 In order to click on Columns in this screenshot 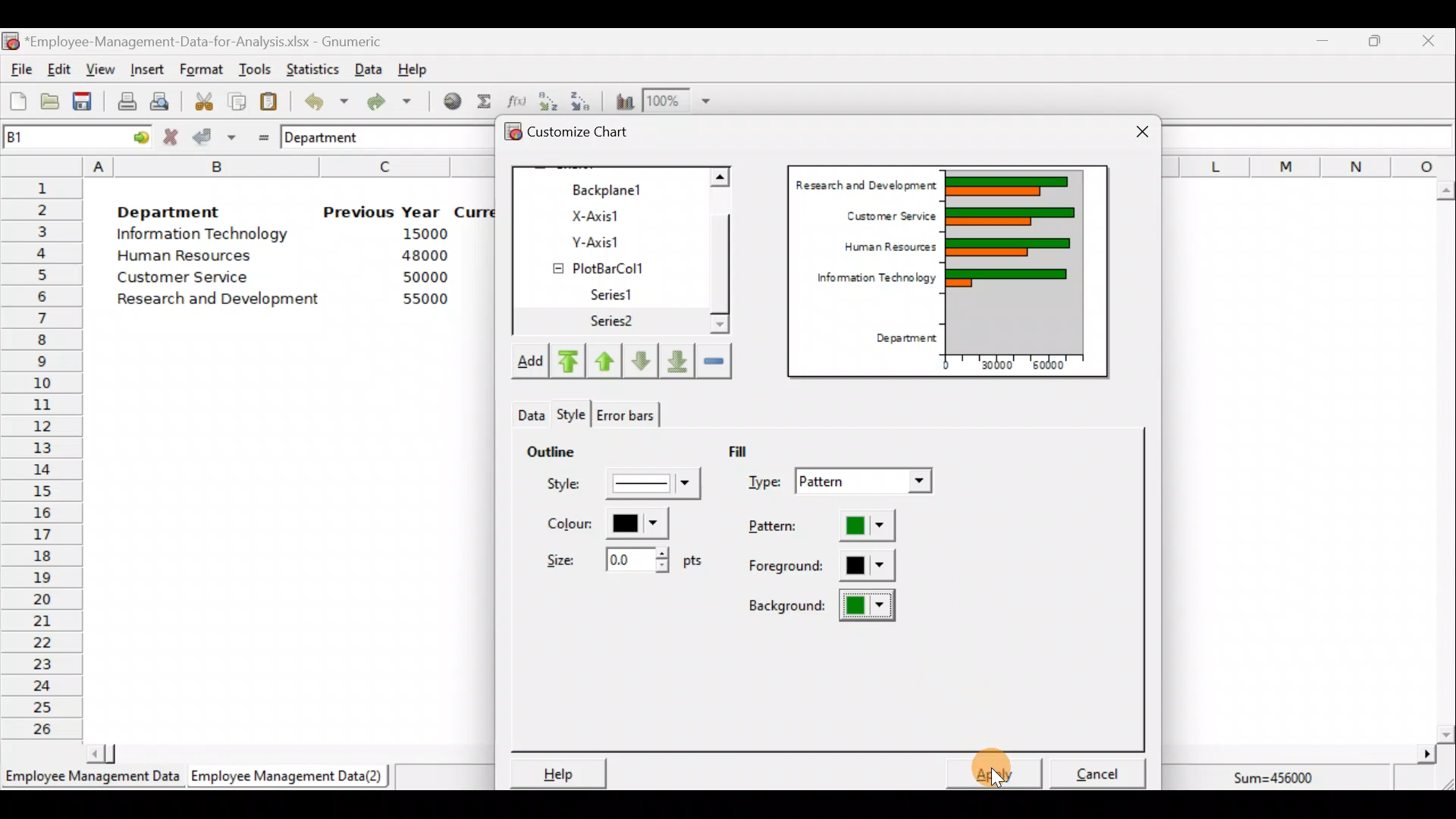, I will do `click(1309, 165)`.